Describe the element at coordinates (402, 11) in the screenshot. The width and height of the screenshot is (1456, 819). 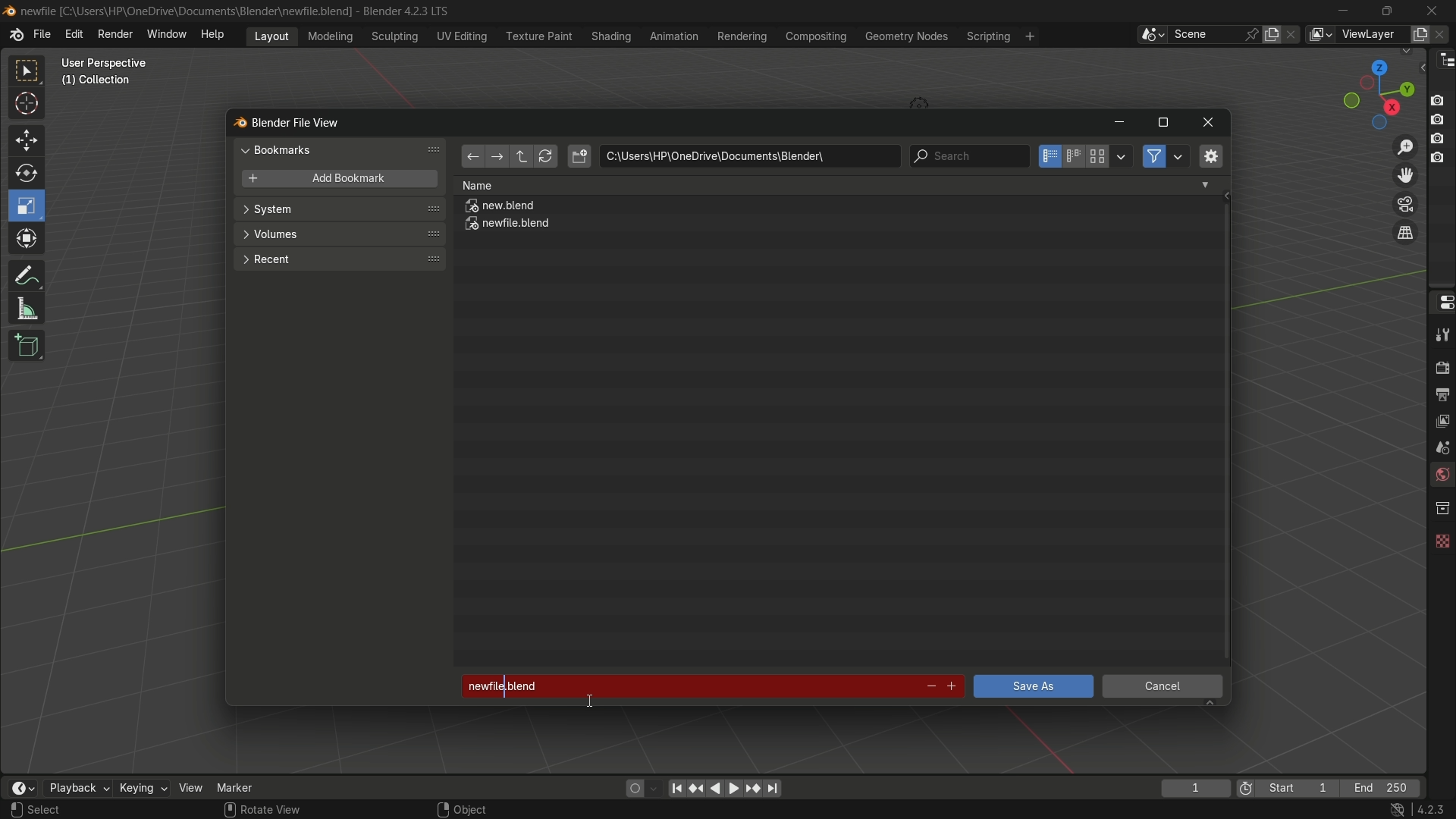
I see `Blender 4.2.3` at that location.